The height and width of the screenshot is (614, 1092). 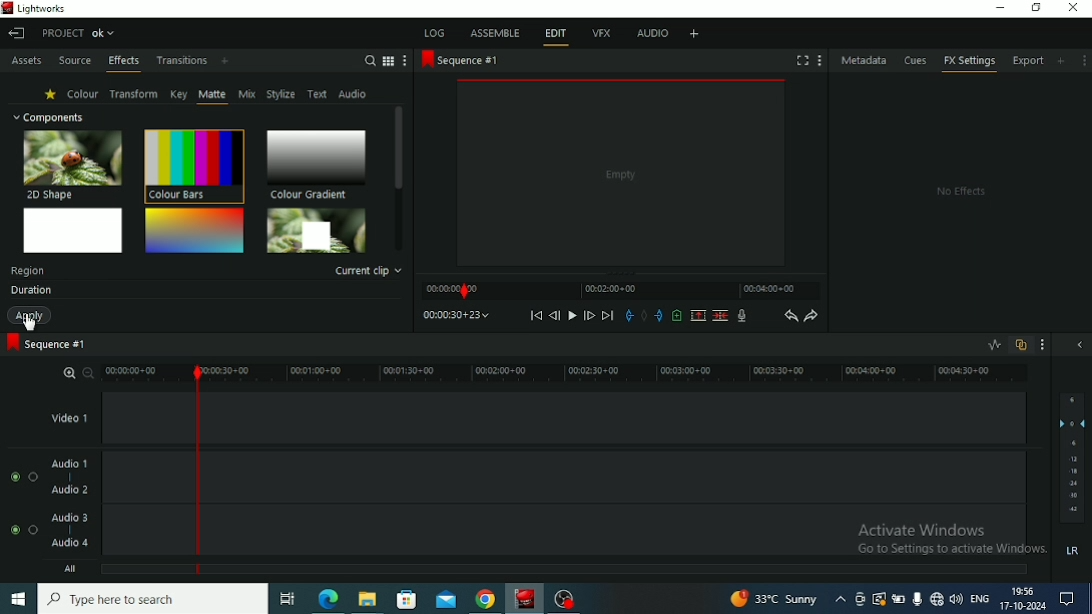 What do you see at coordinates (917, 61) in the screenshot?
I see `Cues` at bounding box center [917, 61].